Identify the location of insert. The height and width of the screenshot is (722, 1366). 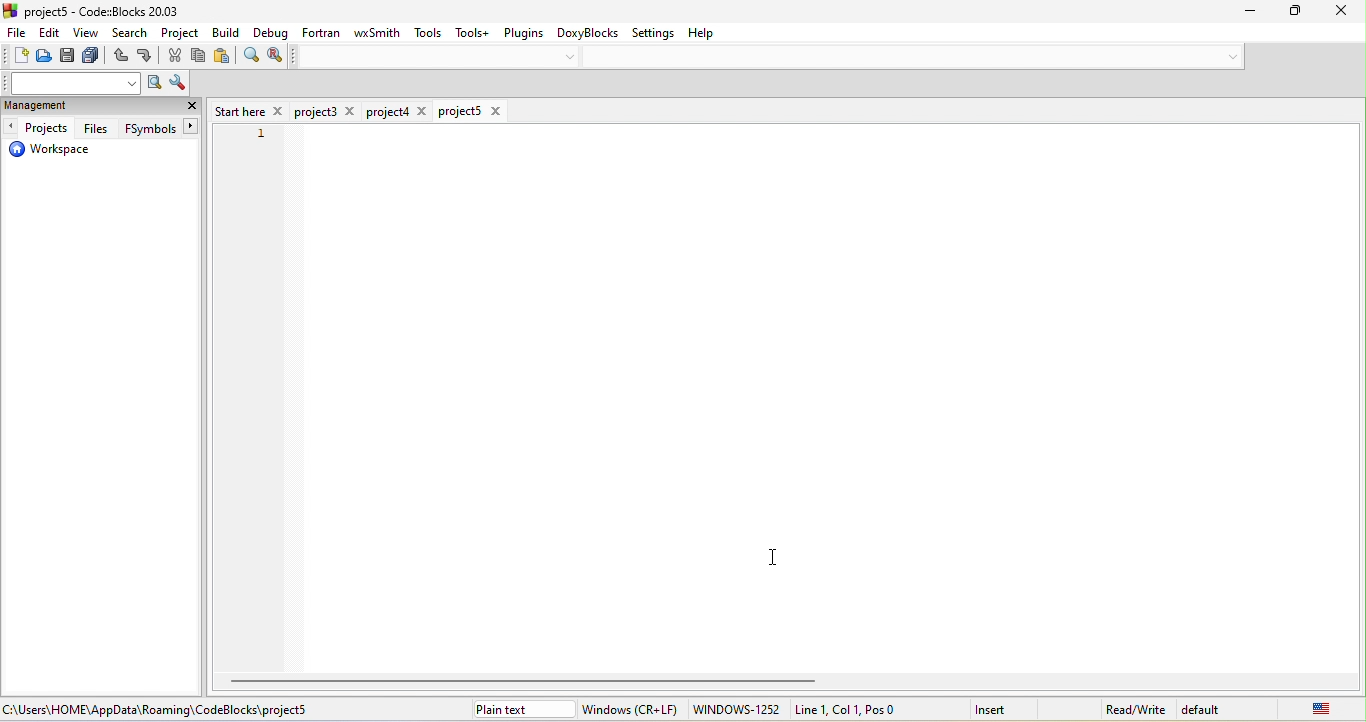
(1003, 708).